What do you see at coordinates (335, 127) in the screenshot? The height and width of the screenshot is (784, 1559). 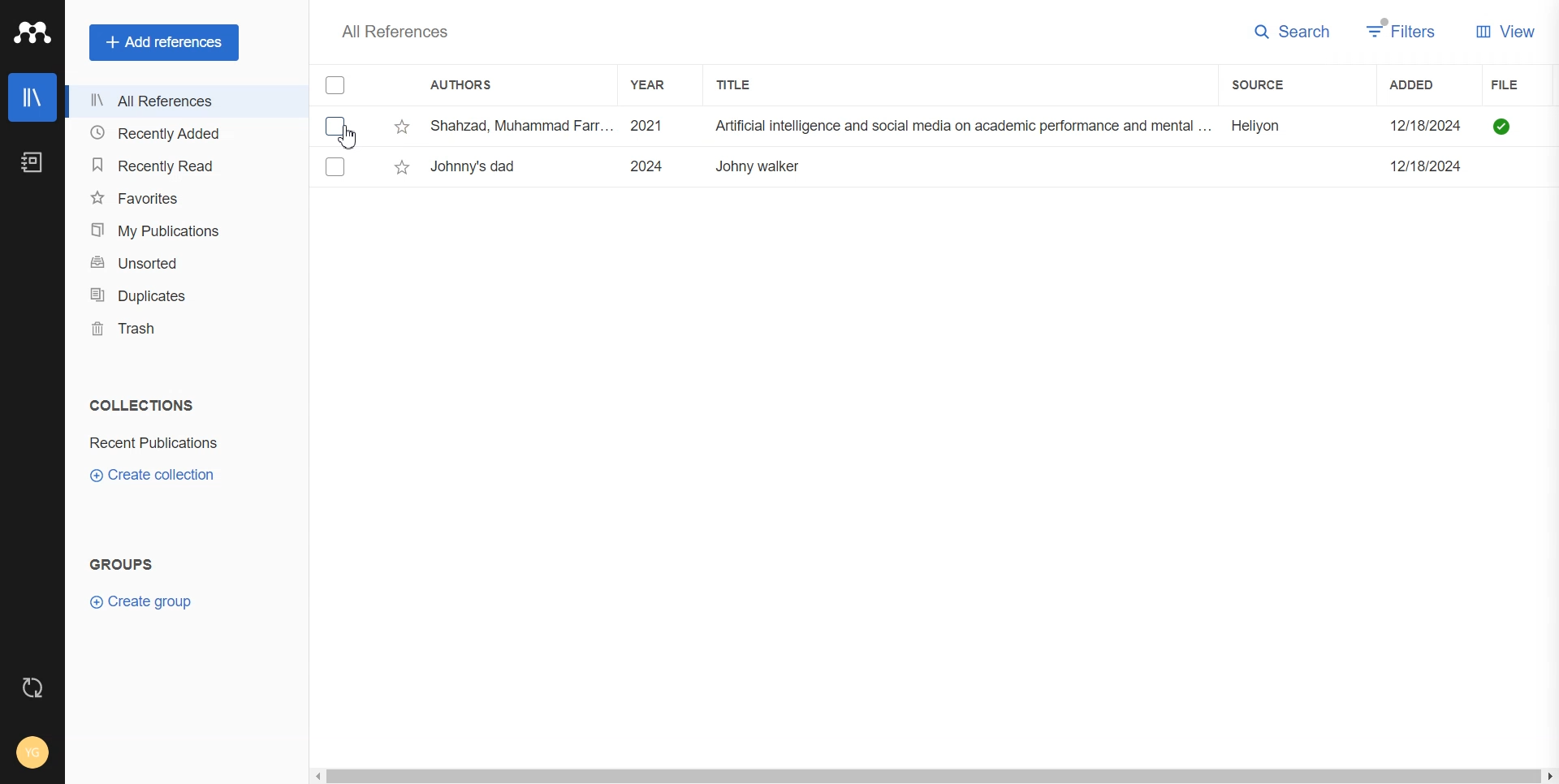 I see `select entry` at bounding box center [335, 127].